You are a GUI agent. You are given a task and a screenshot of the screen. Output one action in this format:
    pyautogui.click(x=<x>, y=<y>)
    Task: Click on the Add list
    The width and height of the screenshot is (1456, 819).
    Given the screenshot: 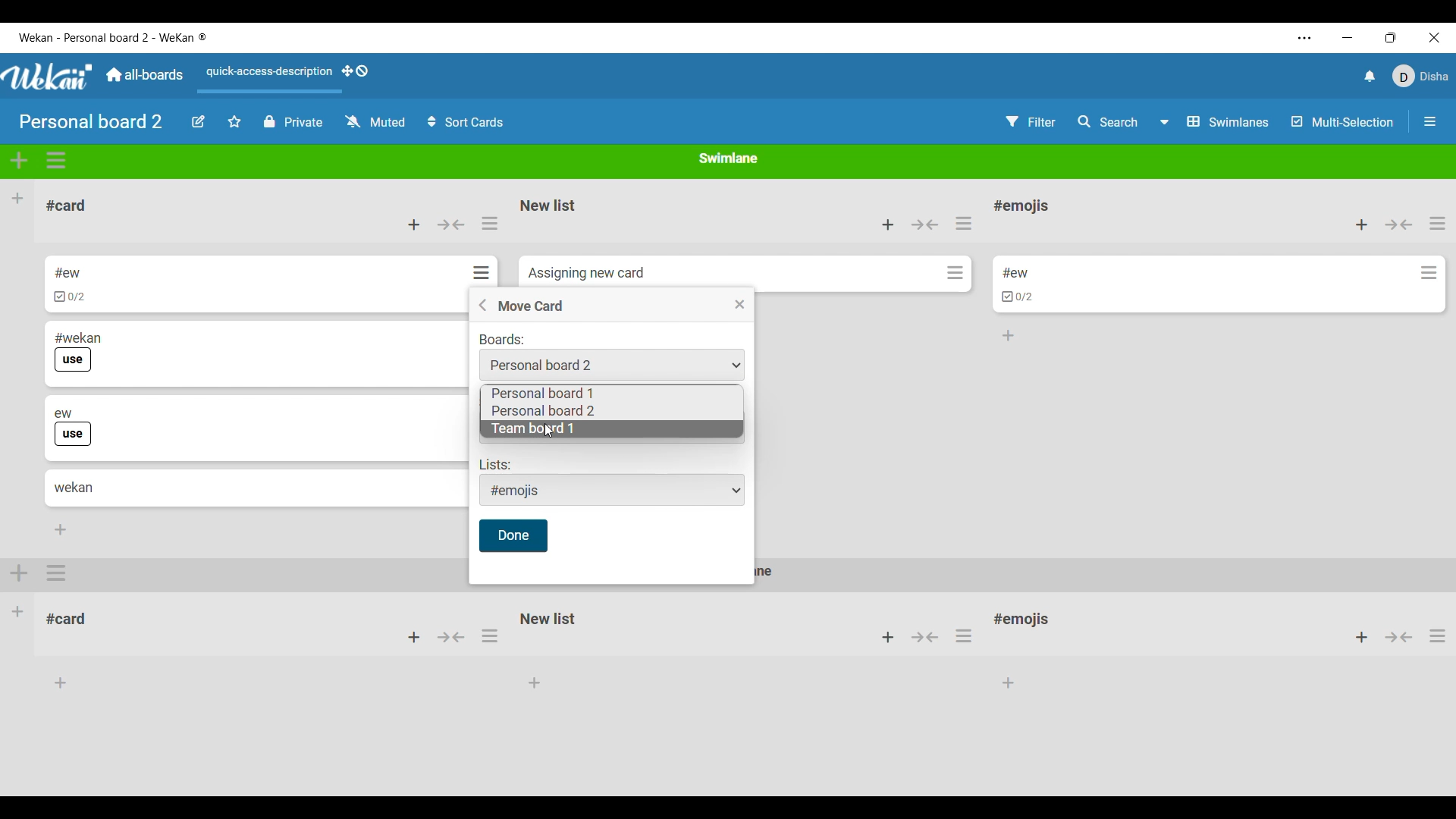 What is the action you would take?
    pyautogui.click(x=17, y=198)
    